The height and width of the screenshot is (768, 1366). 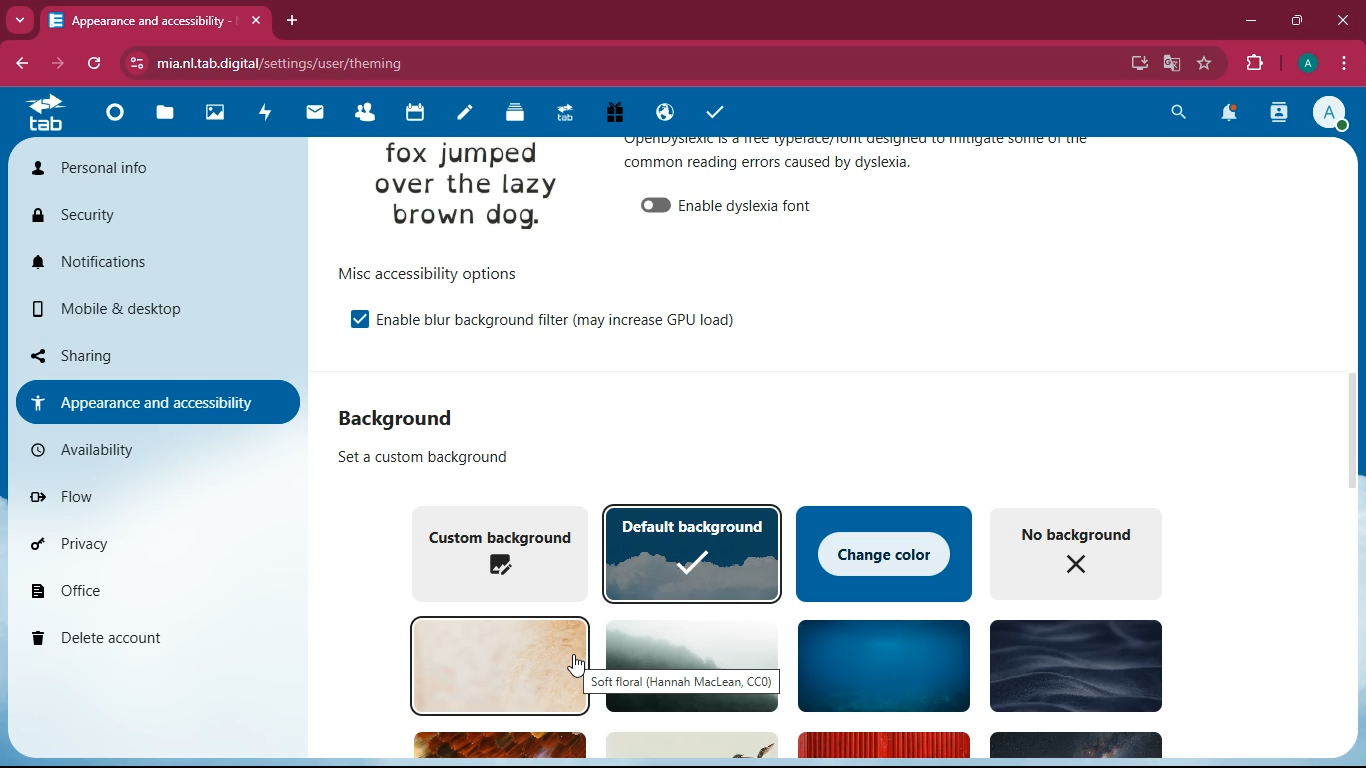 What do you see at coordinates (1176, 115) in the screenshot?
I see `search` at bounding box center [1176, 115].